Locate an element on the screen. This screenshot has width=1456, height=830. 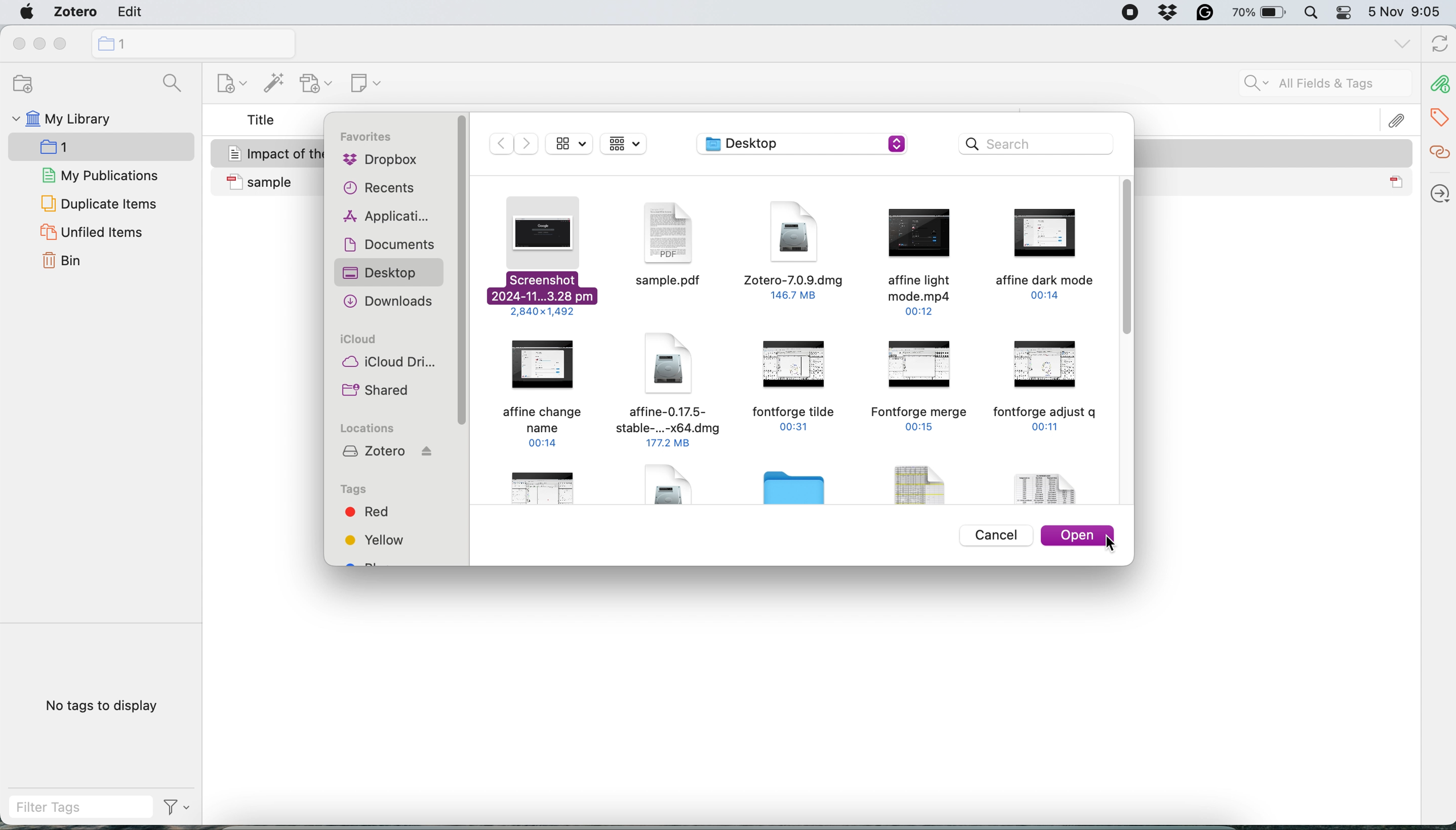
shared is located at coordinates (379, 390).